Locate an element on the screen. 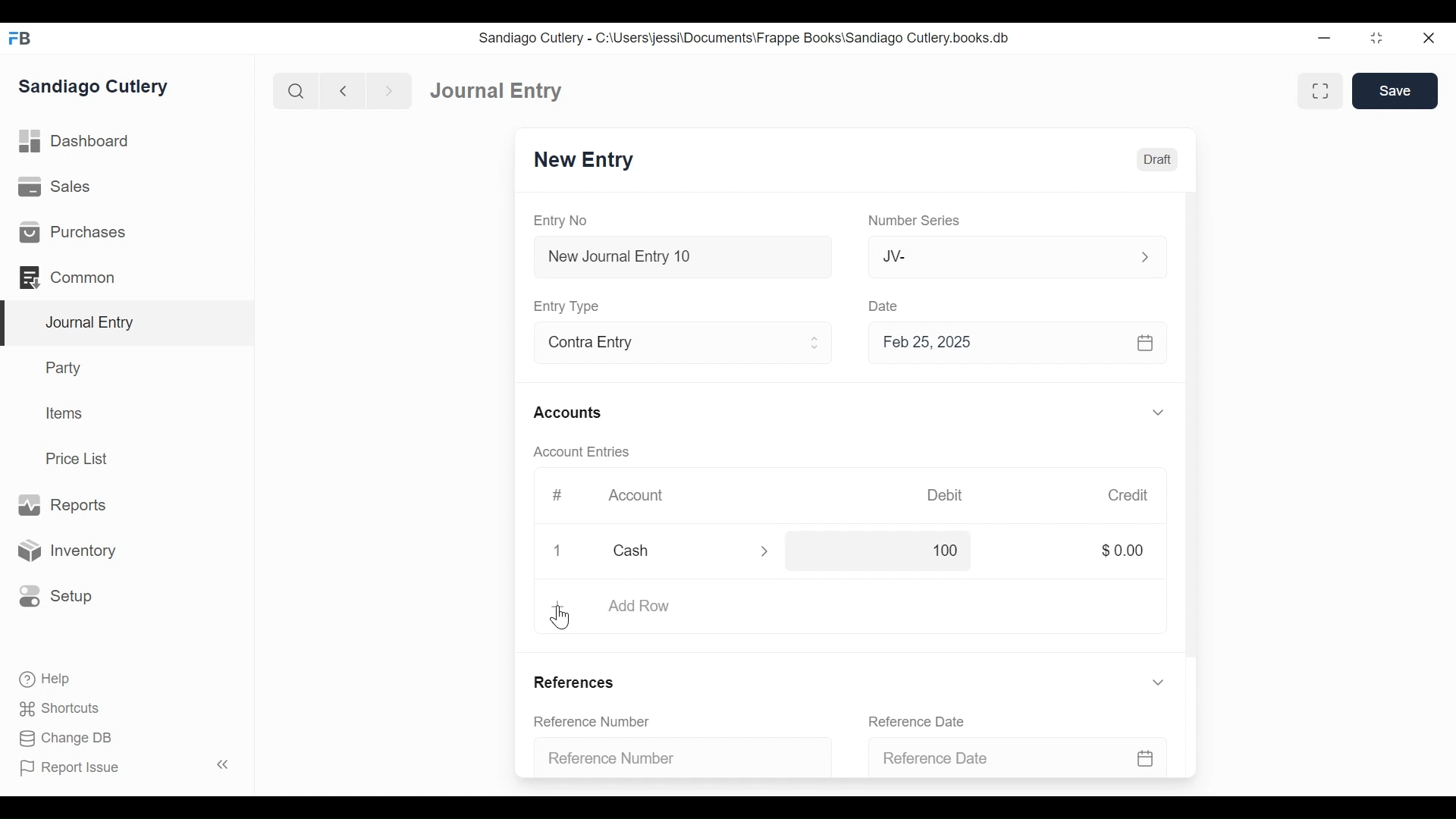 This screenshot has width=1456, height=819. Reports is located at coordinates (61, 504).